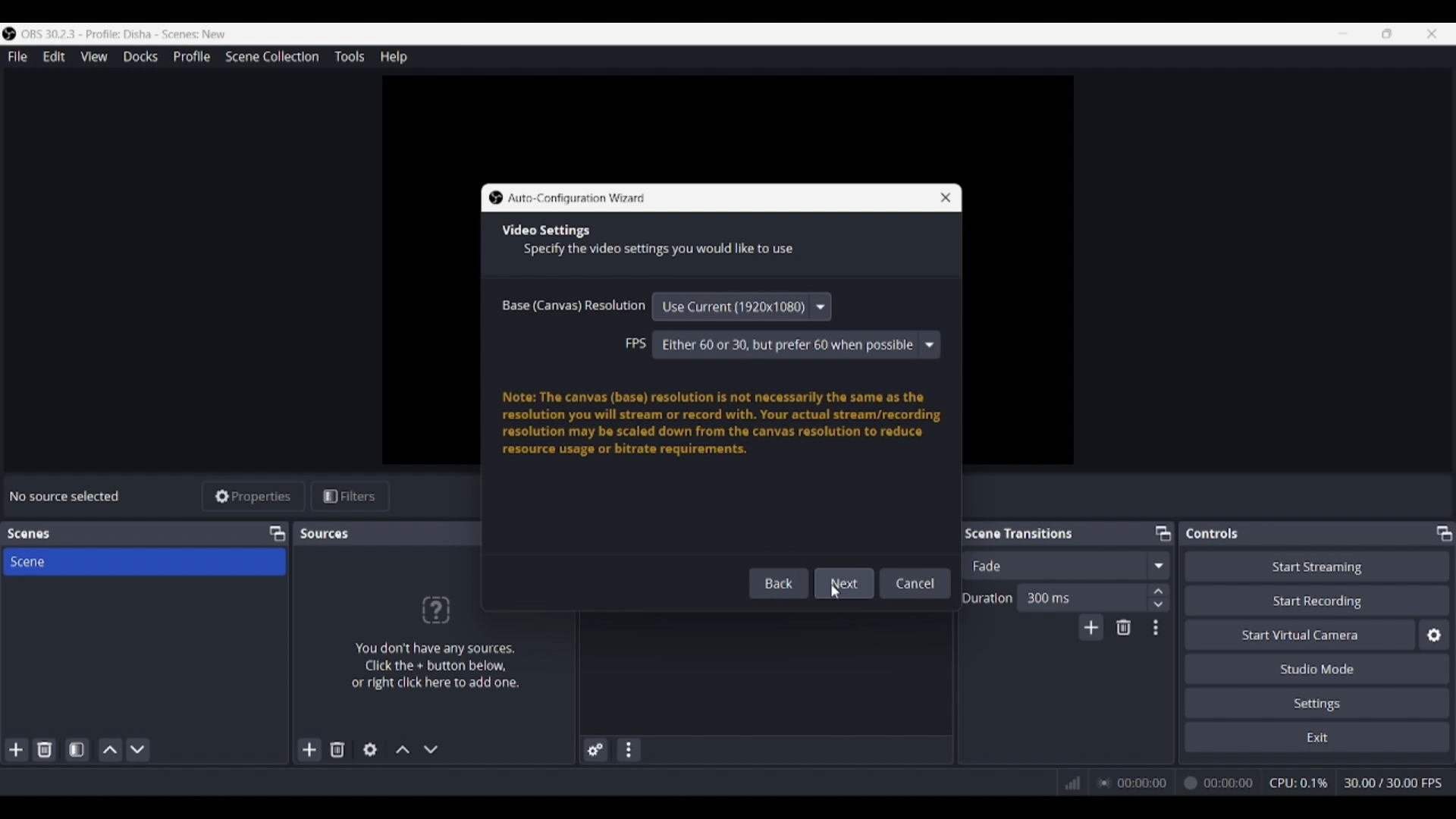 This screenshot has width=1456, height=819. Describe the element at coordinates (1053, 565) in the screenshot. I see `Current fade` at that location.